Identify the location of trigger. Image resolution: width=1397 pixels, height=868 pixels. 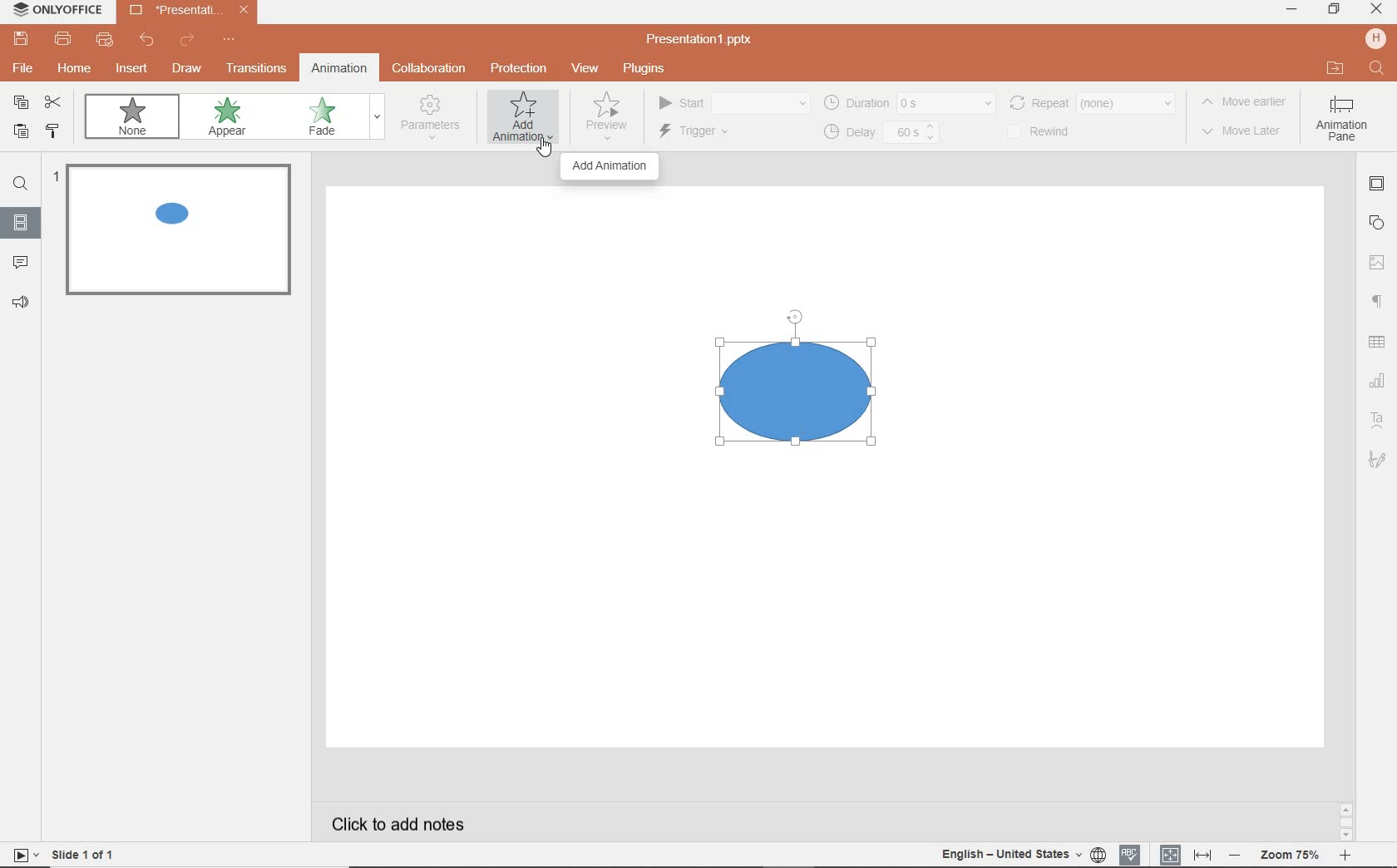
(716, 133).